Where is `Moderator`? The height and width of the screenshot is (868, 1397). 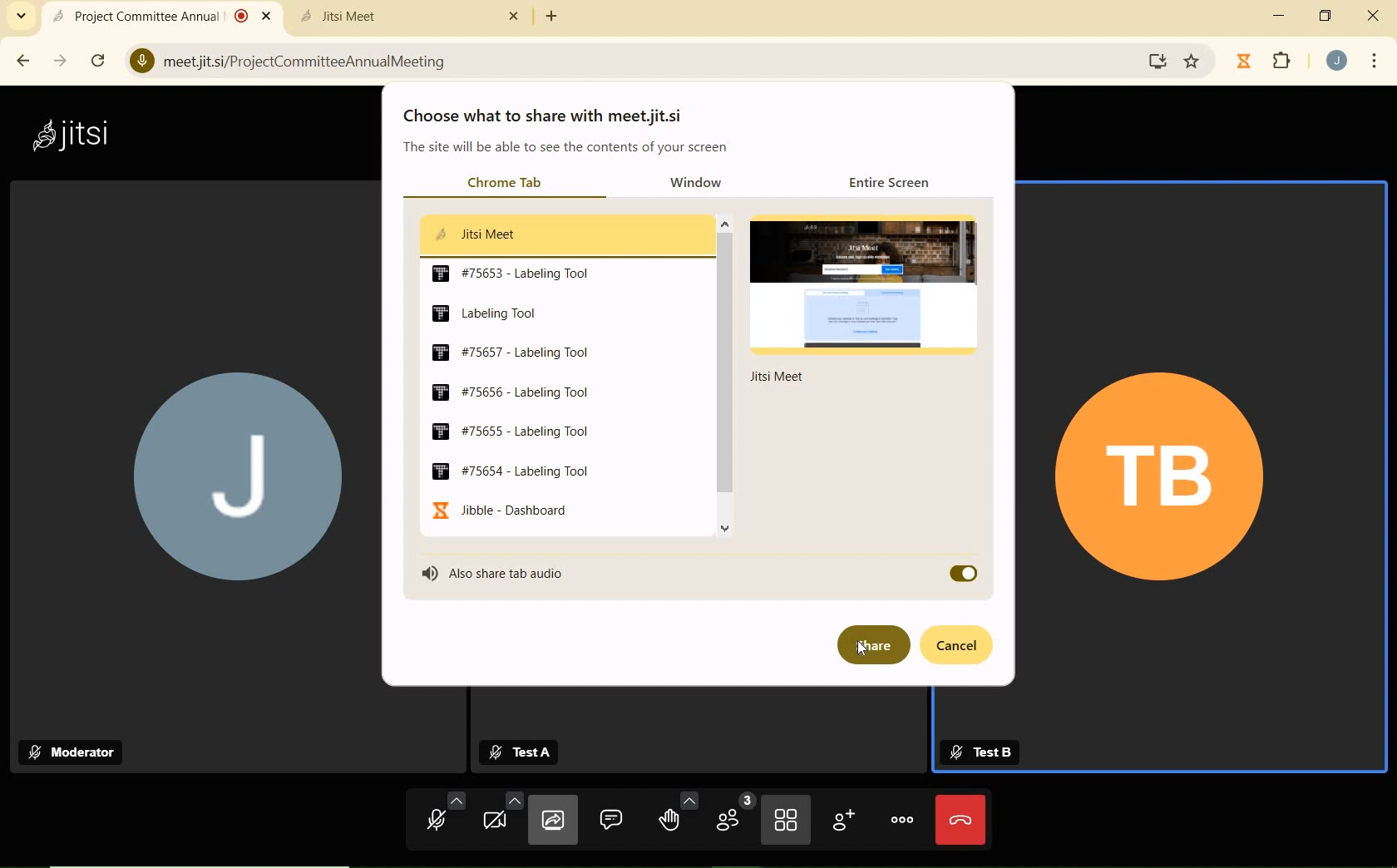 Moderator is located at coordinates (76, 752).